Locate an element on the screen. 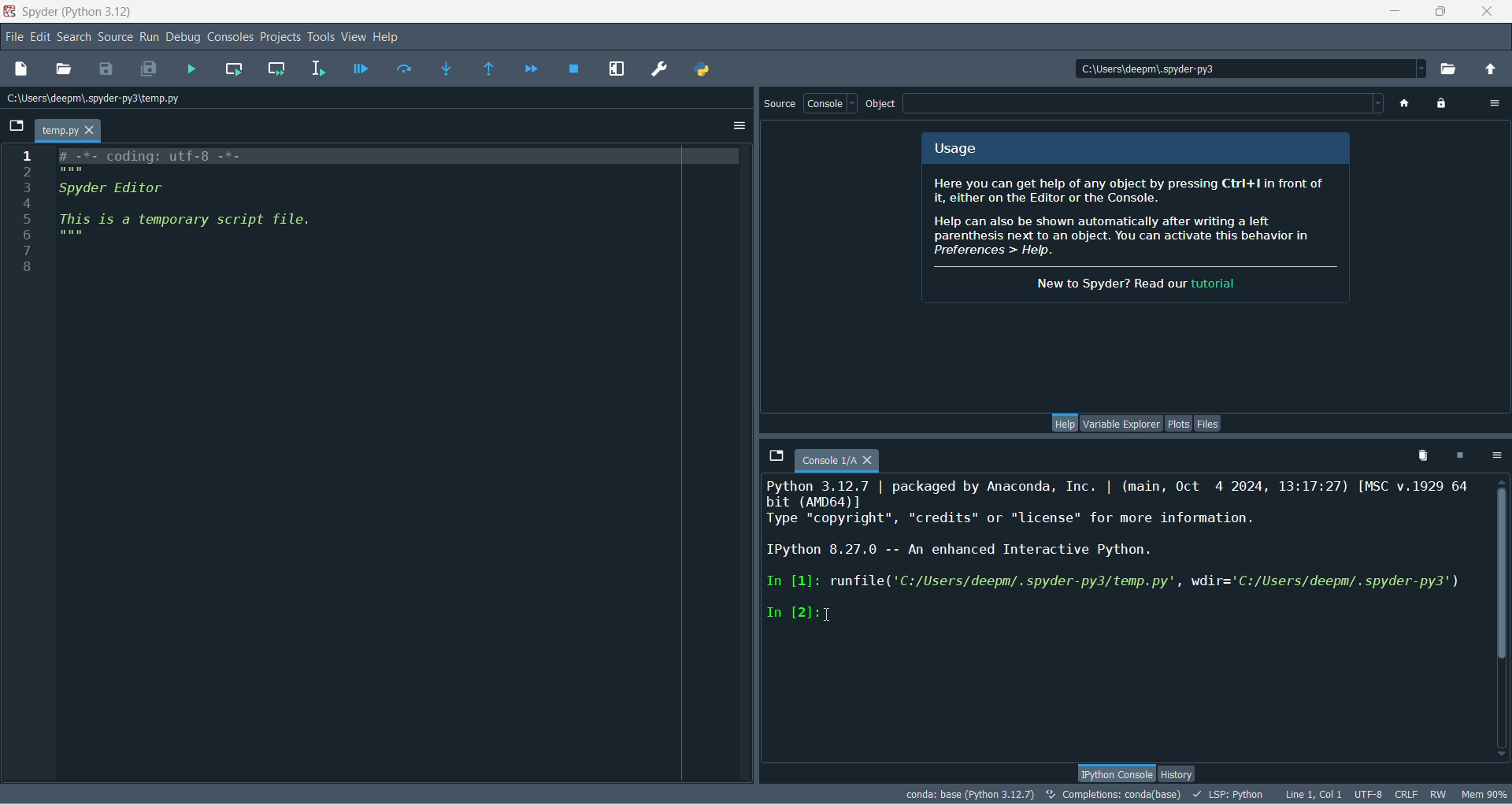 The image size is (1512, 805). console is located at coordinates (831, 102).